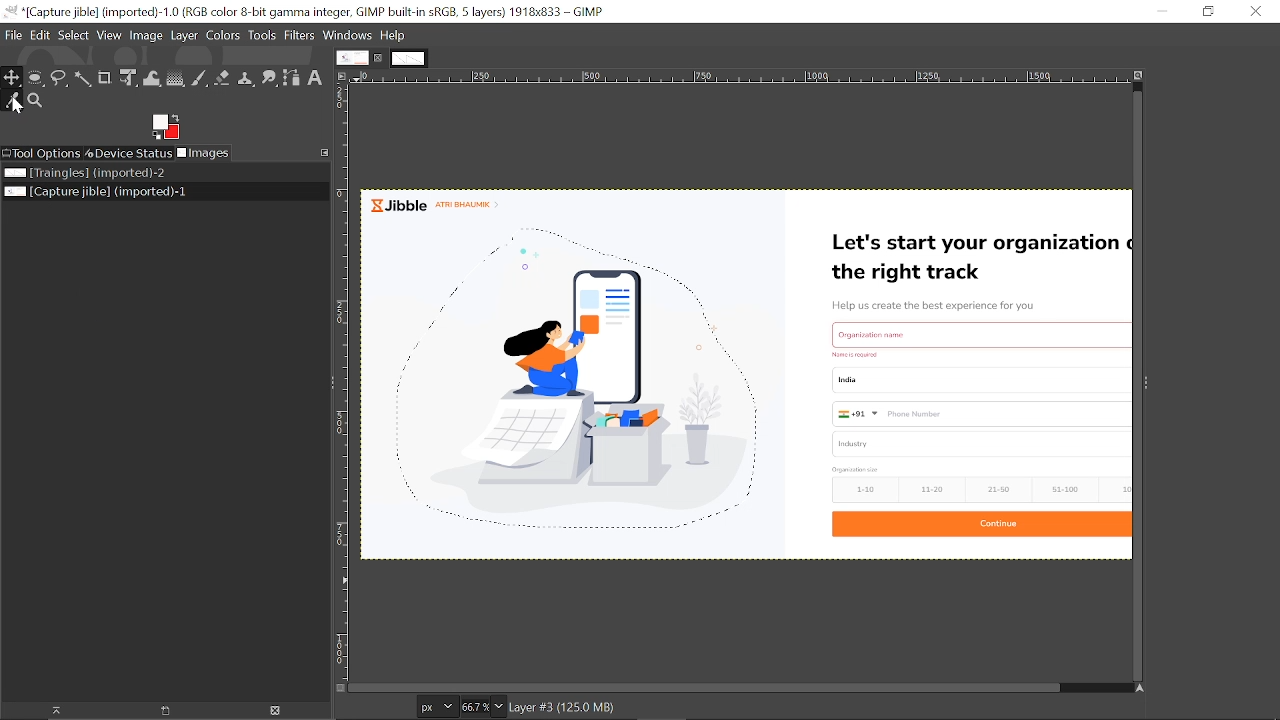 This screenshot has height=720, width=1280. I want to click on fuzzy select tool, so click(82, 78).